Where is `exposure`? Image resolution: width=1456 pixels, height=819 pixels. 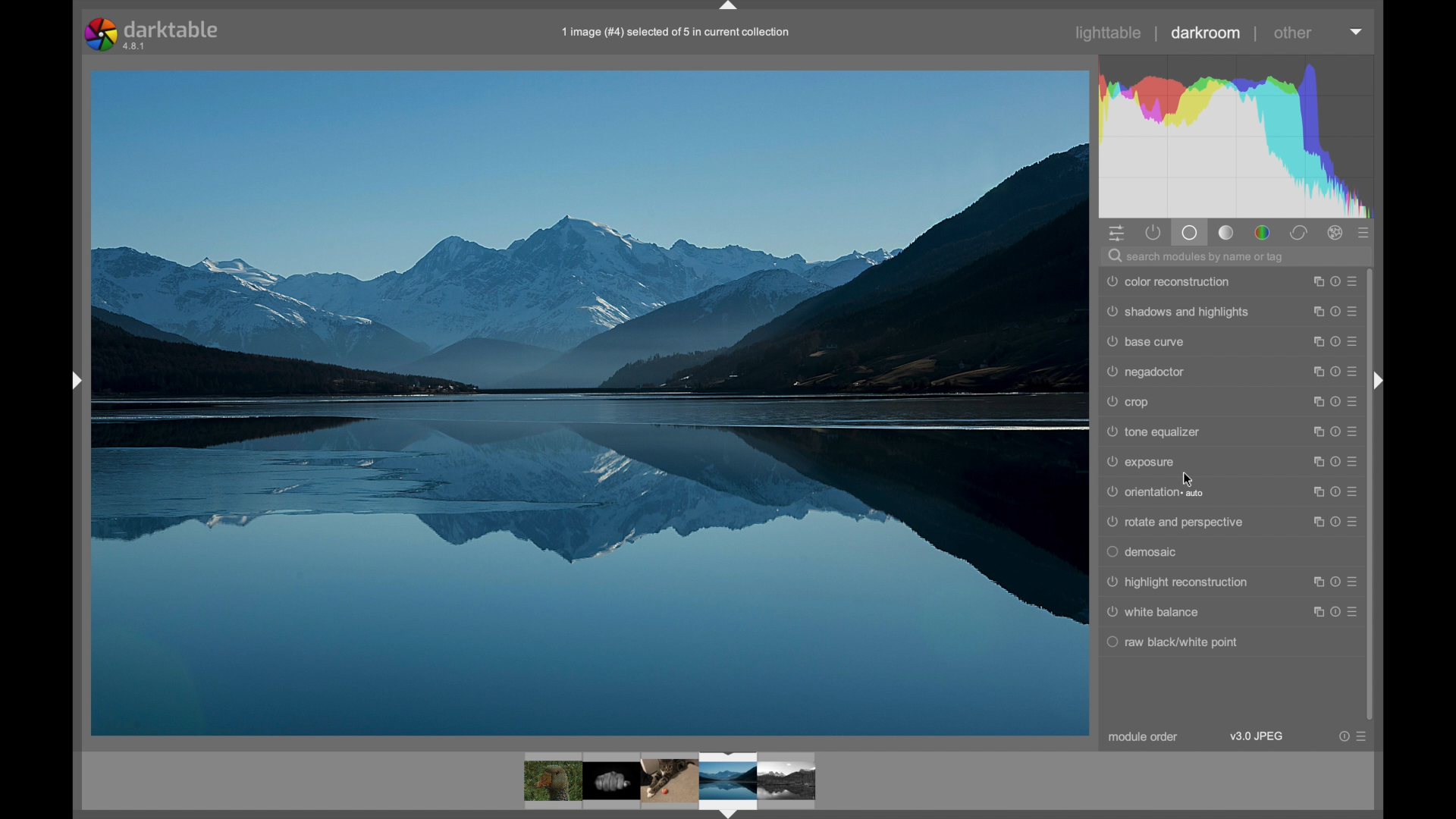
exposure is located at coordinates (1142, 462).